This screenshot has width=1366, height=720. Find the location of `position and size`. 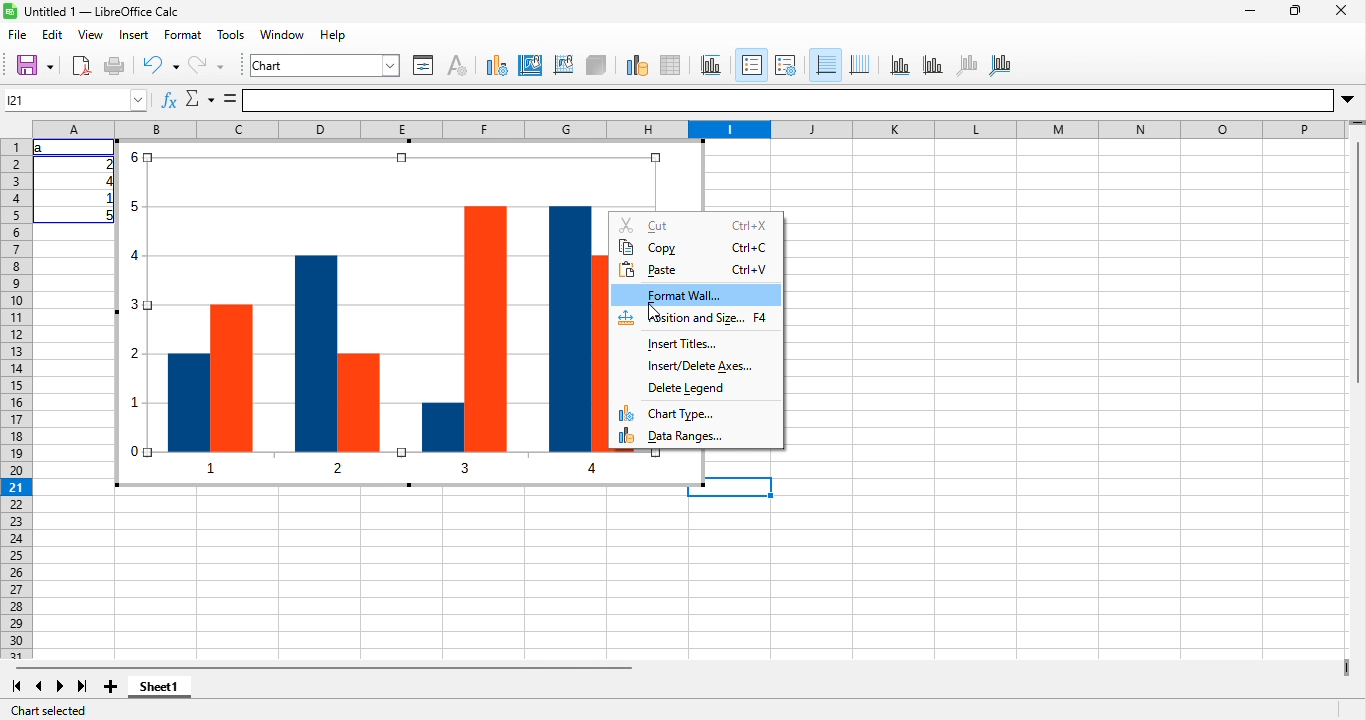

position and size is located at coordinates (696, 319).